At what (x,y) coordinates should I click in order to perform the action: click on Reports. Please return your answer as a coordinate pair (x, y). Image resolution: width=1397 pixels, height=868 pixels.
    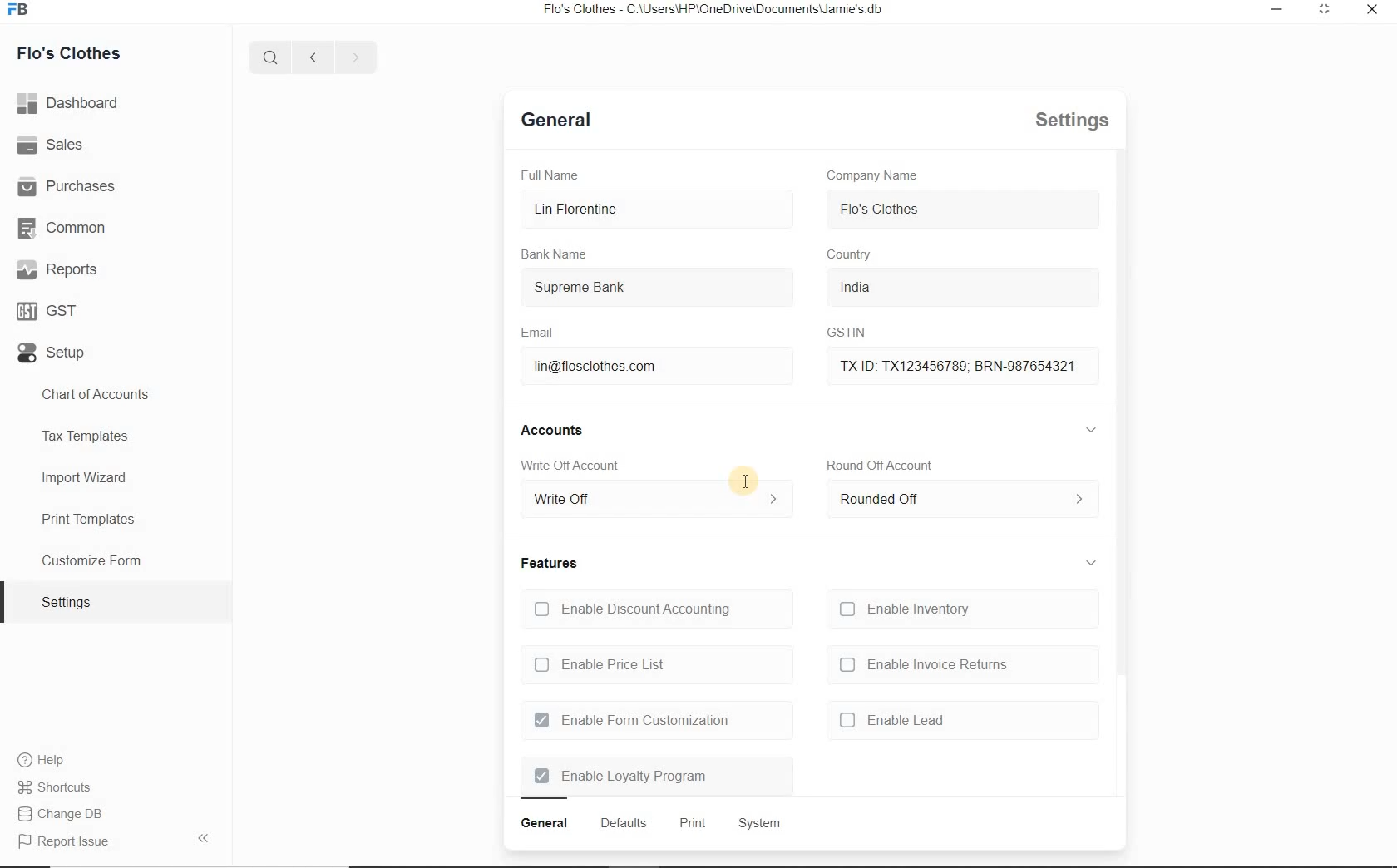
    Looking at the image, I should click on (57, 271).